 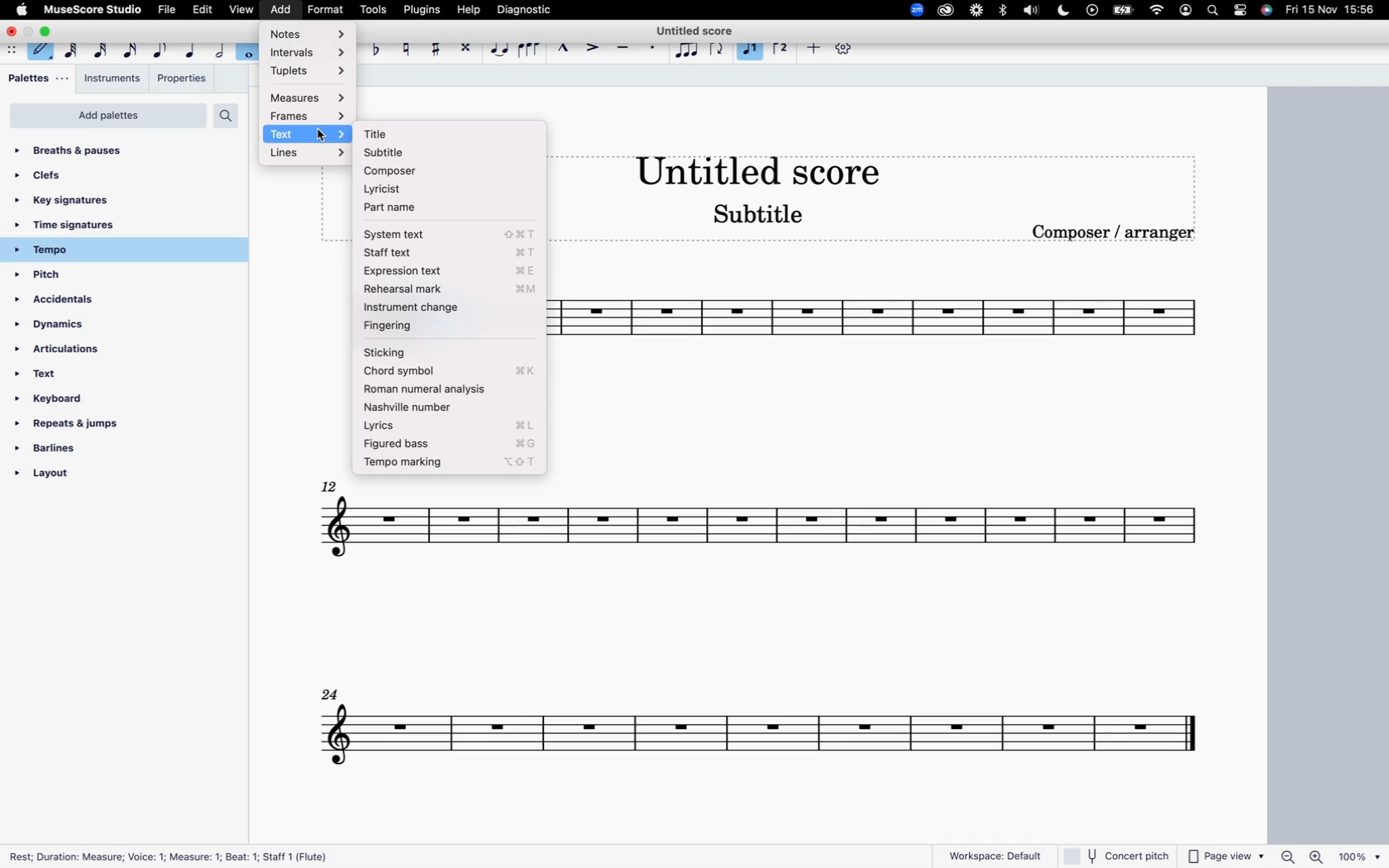 I want to click on roman numeral analysis, so click(x=448, y=390).